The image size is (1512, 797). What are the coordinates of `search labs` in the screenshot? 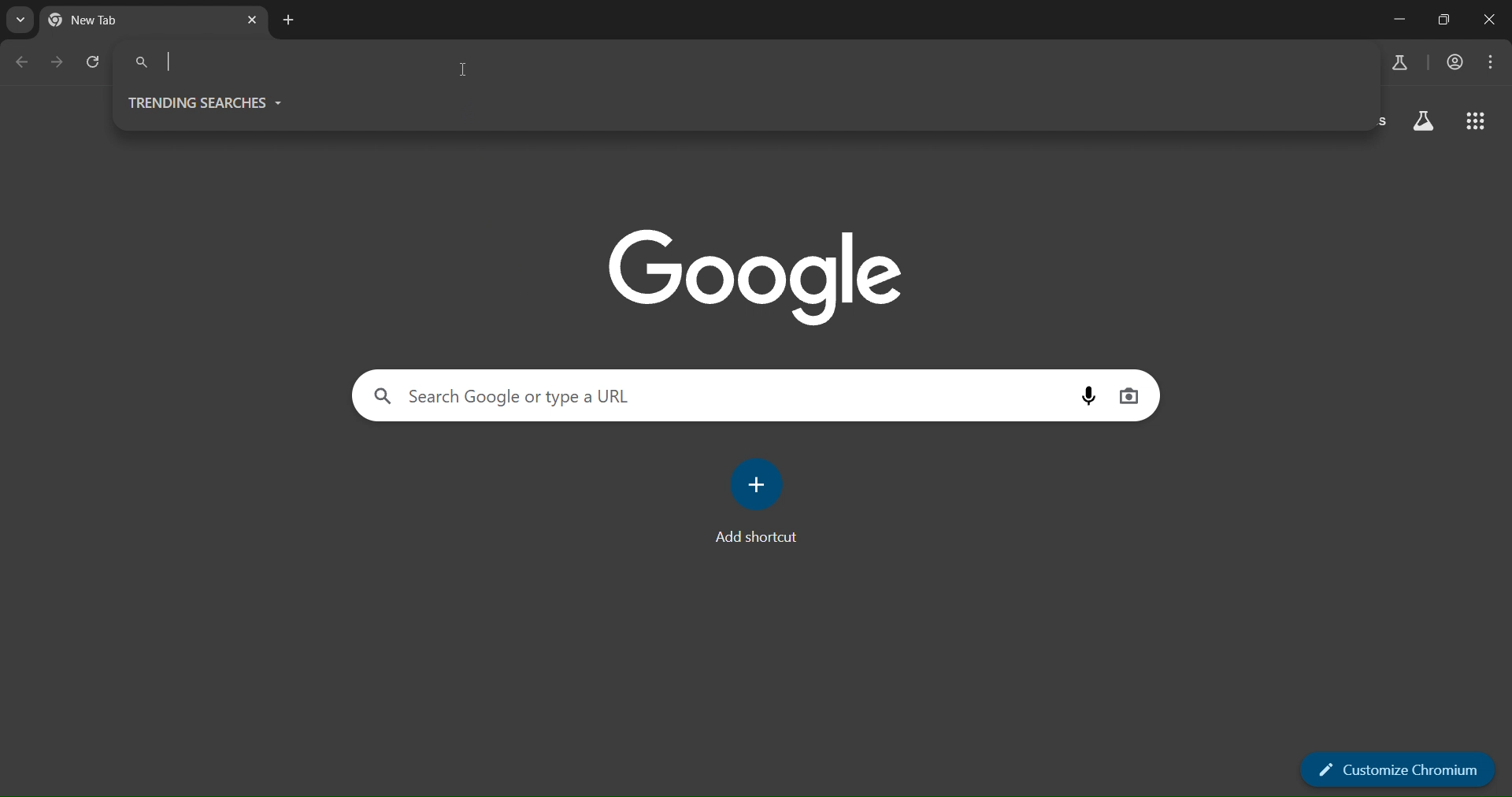 It's located at (1399, 63).